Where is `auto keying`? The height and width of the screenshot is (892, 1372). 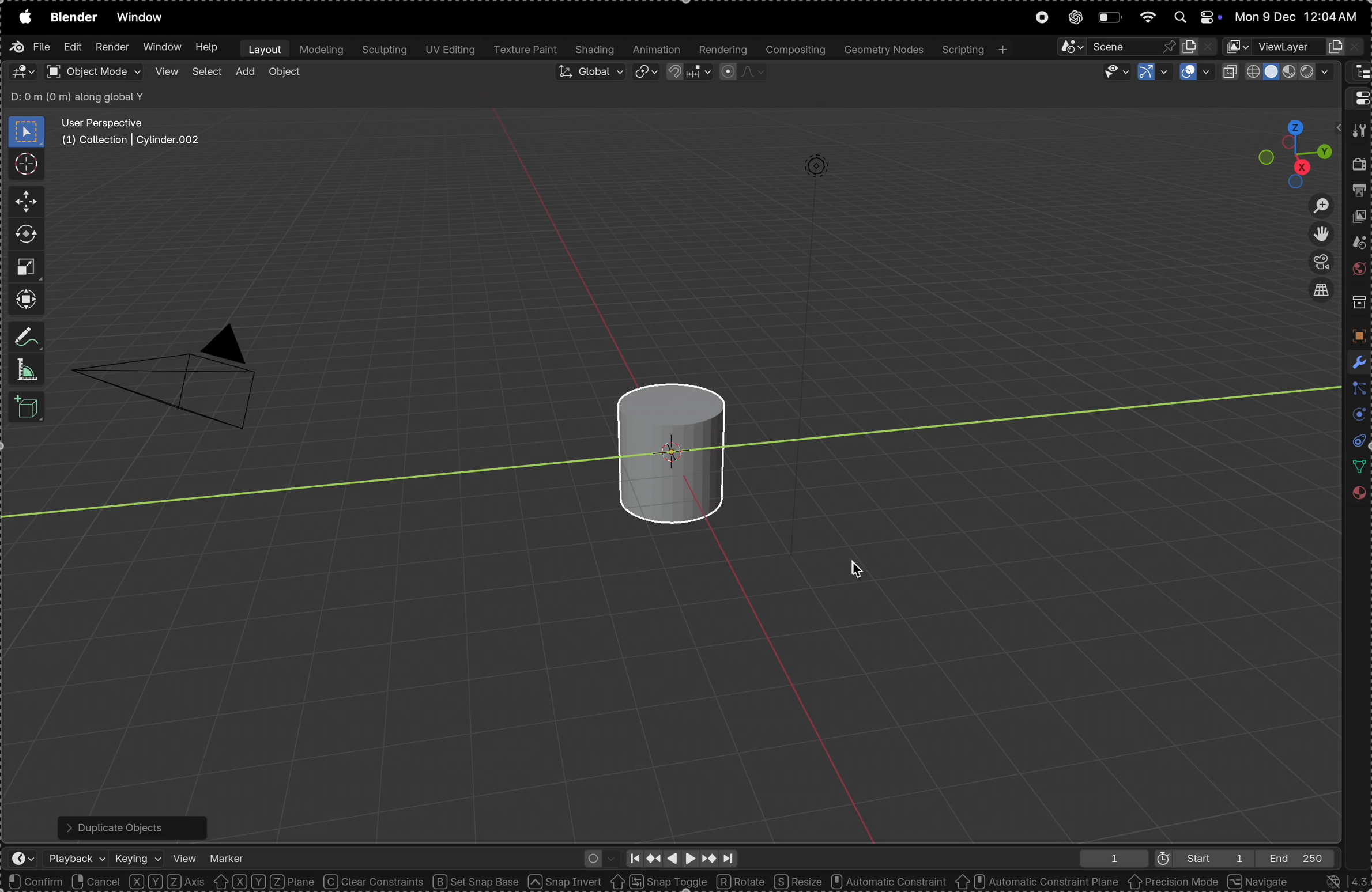 auto keying is located at coordinates (597, 857).